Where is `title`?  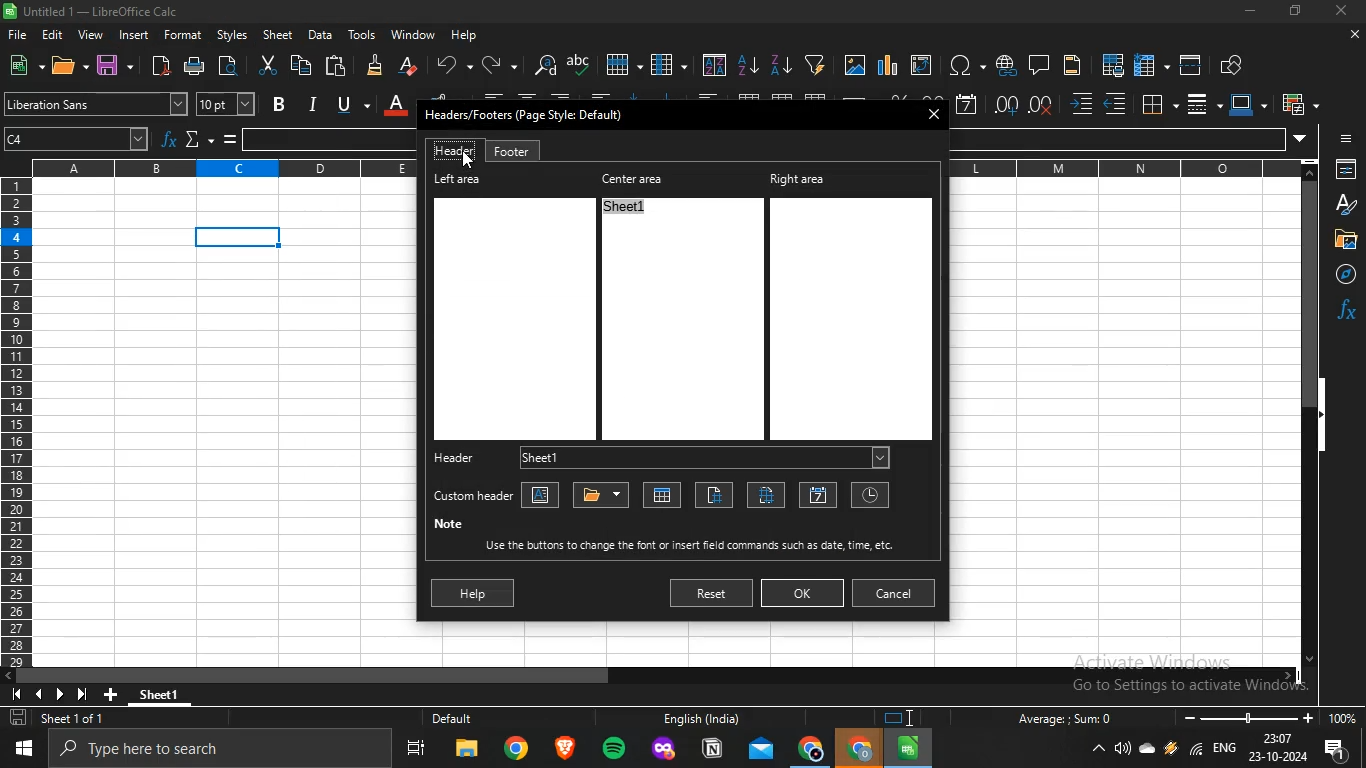
title is located at coordinates (602, 493).